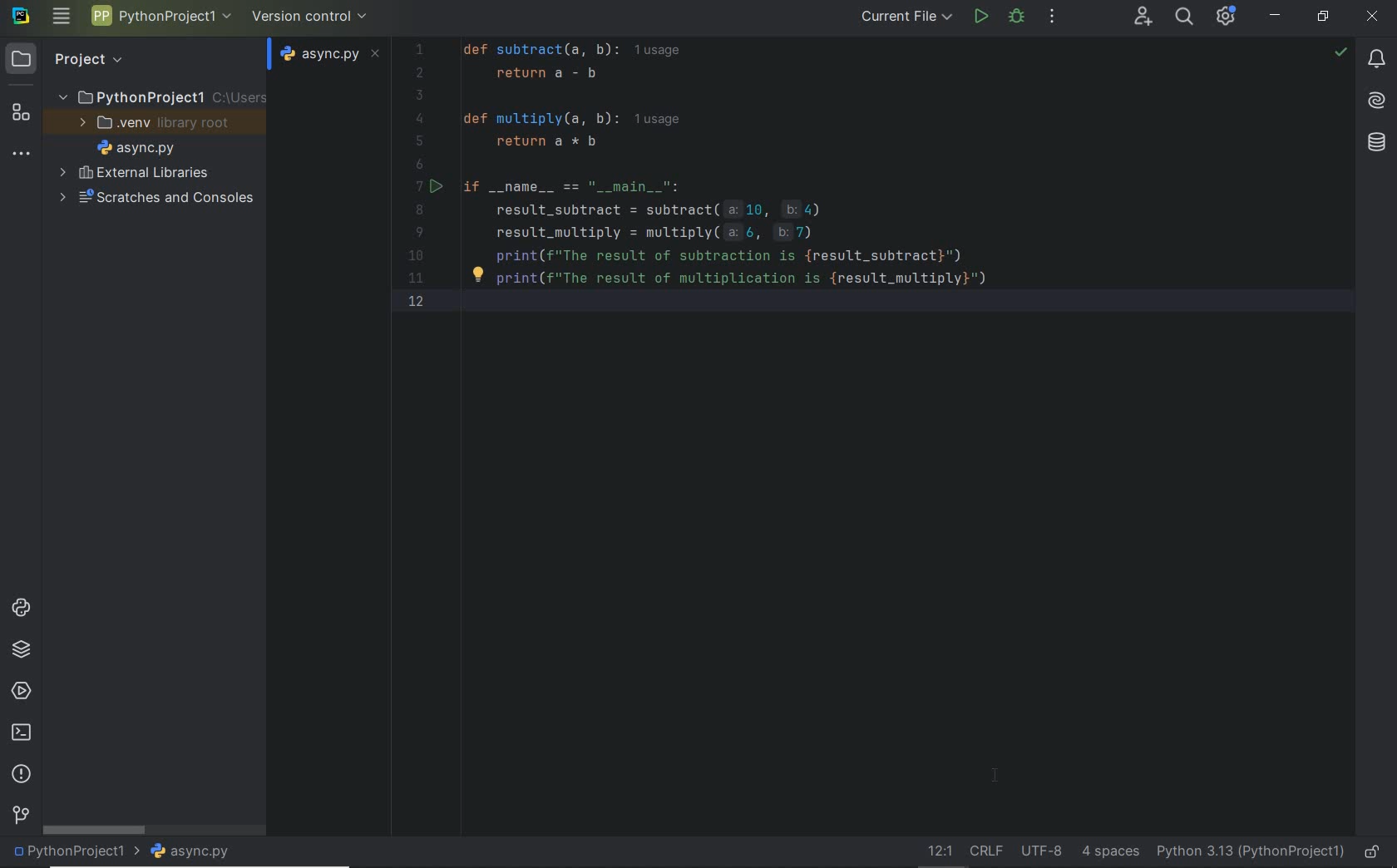  I want to click on problems, so click(21, 774).